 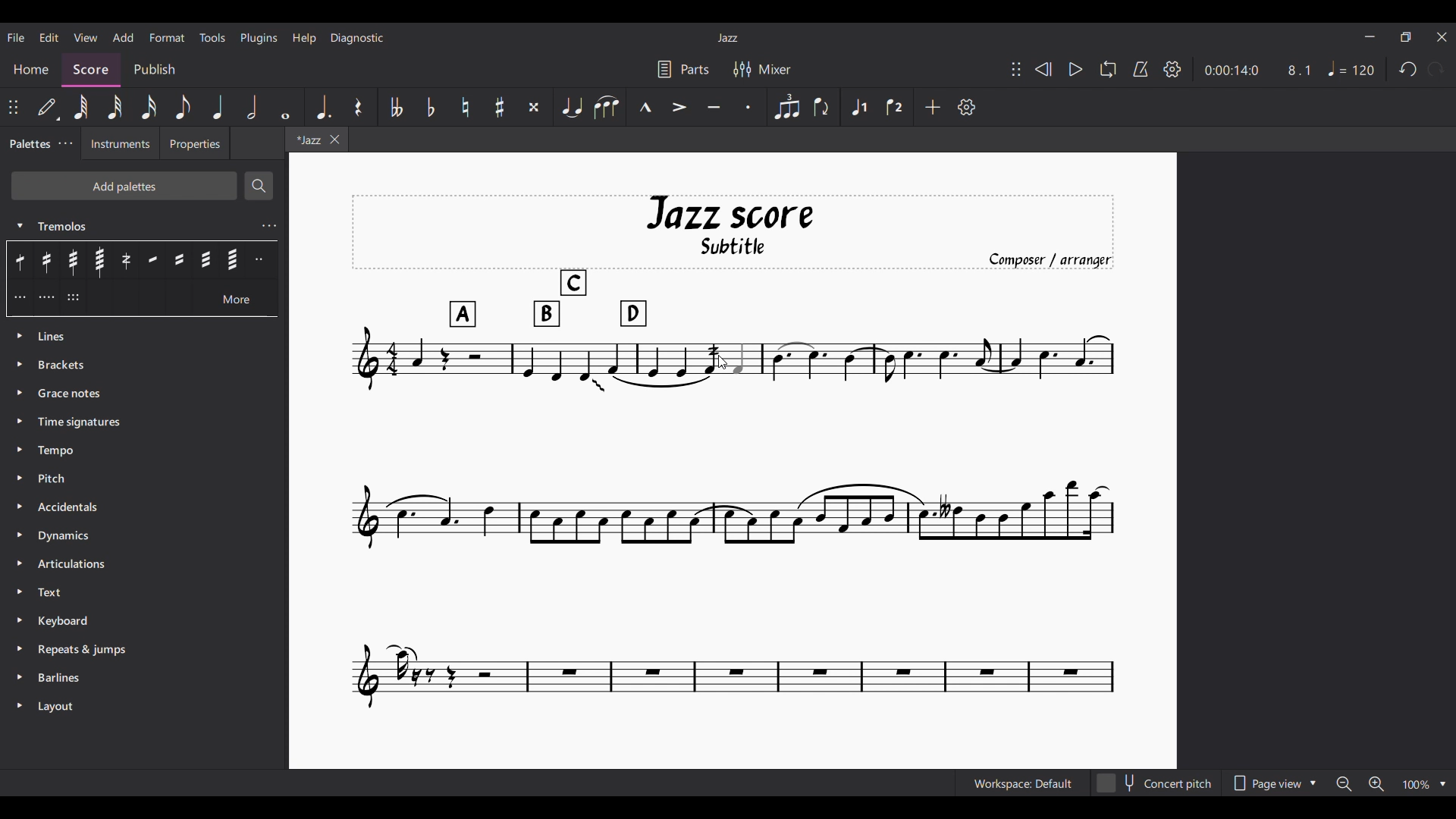 I want to click on Mixer, so click(x=762, y=69).